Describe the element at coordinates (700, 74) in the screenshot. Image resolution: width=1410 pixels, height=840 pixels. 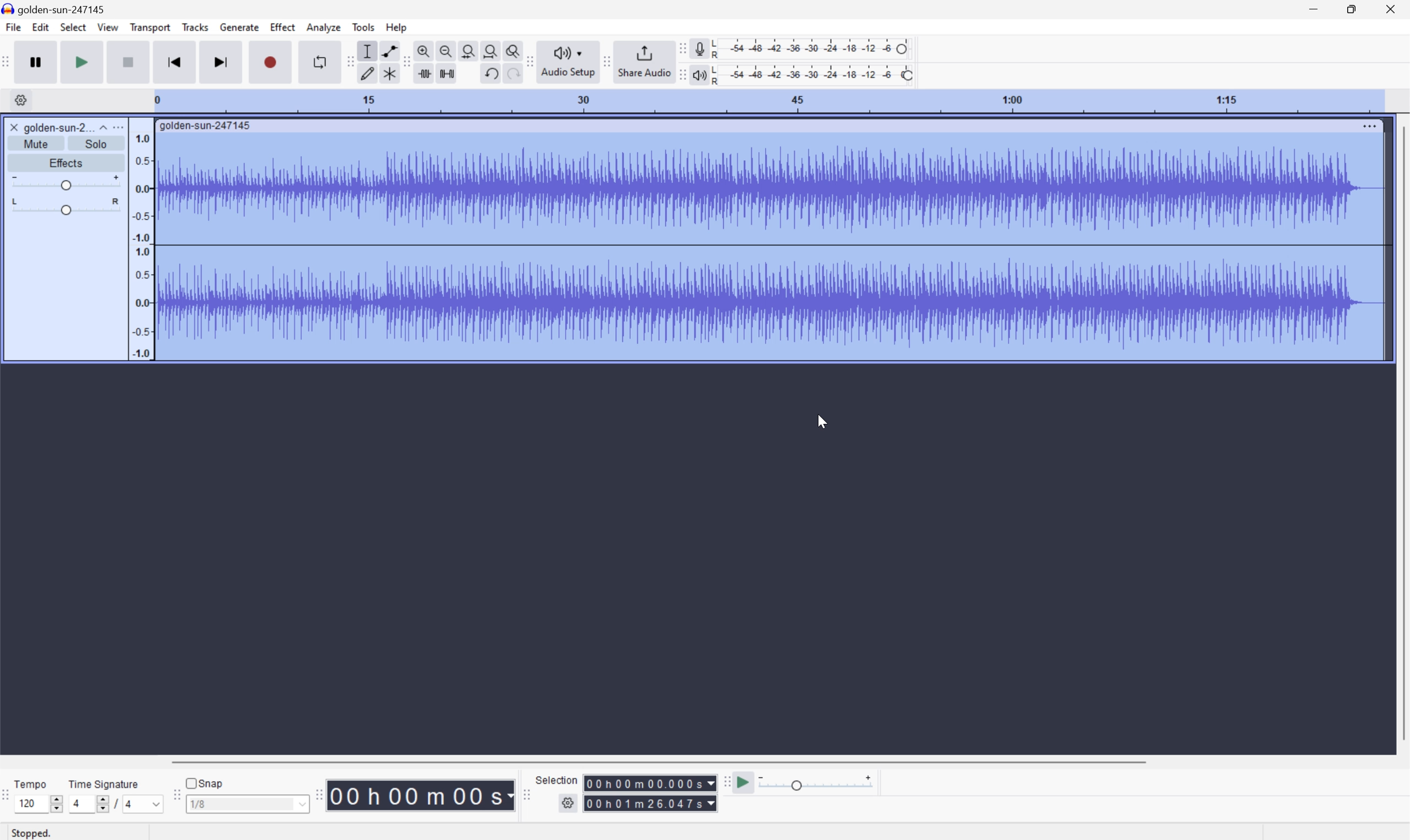
I see `Playback meter` at that location.